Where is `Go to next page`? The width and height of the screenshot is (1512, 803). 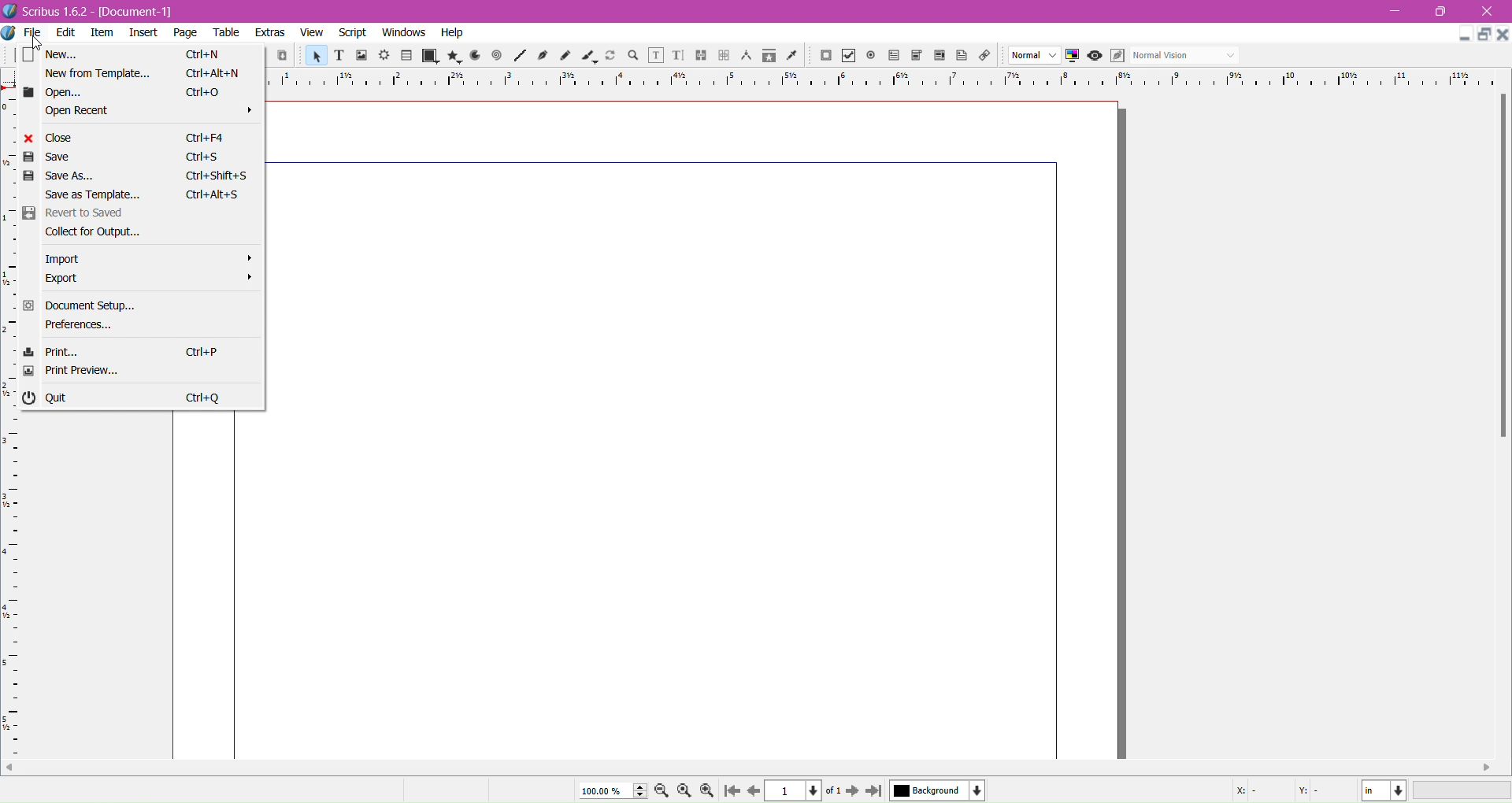 Go to next page is located at coordinates (852, 791).